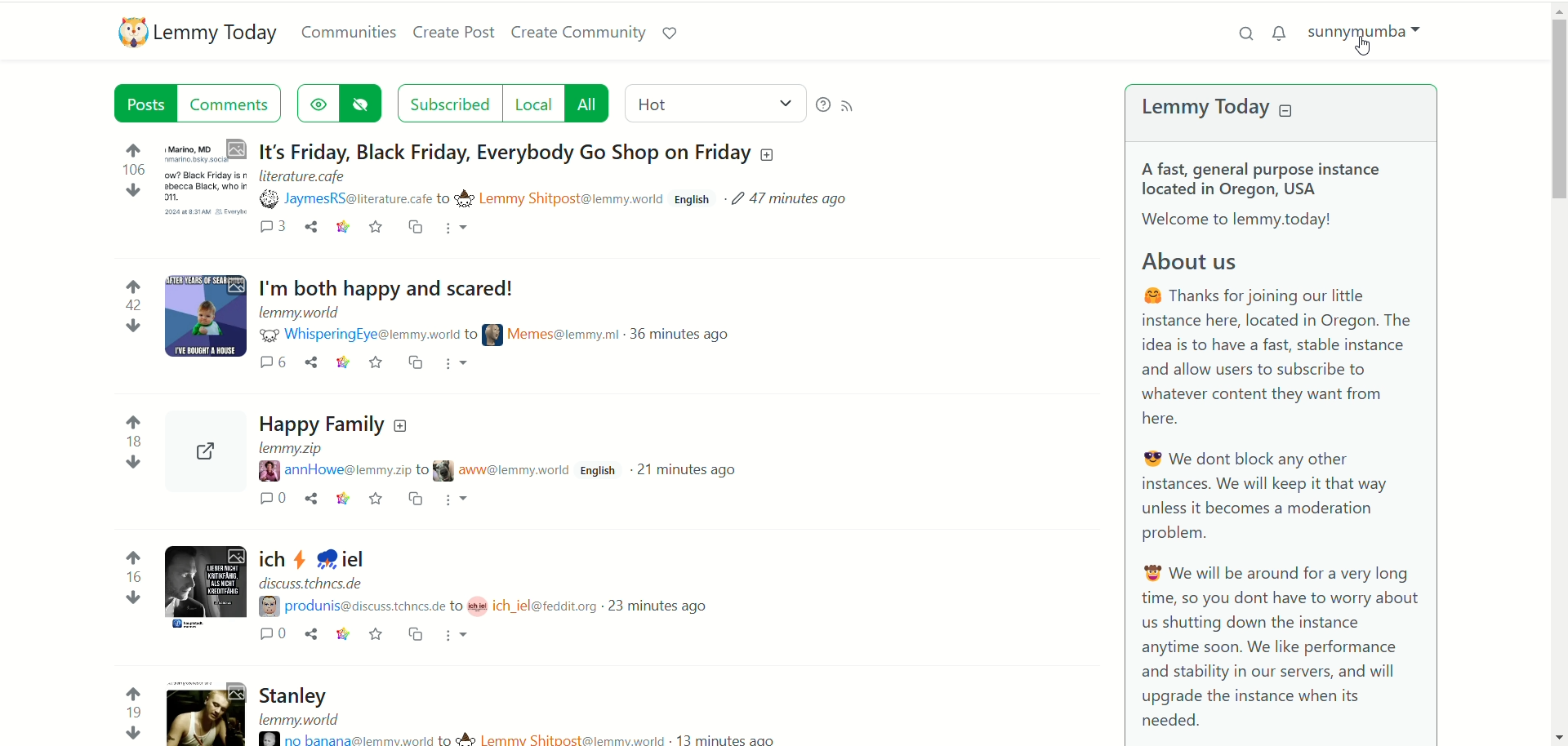  Describe the element at coordinates (364, 102) in the screenshot. I see `hide hidden post` at that location.